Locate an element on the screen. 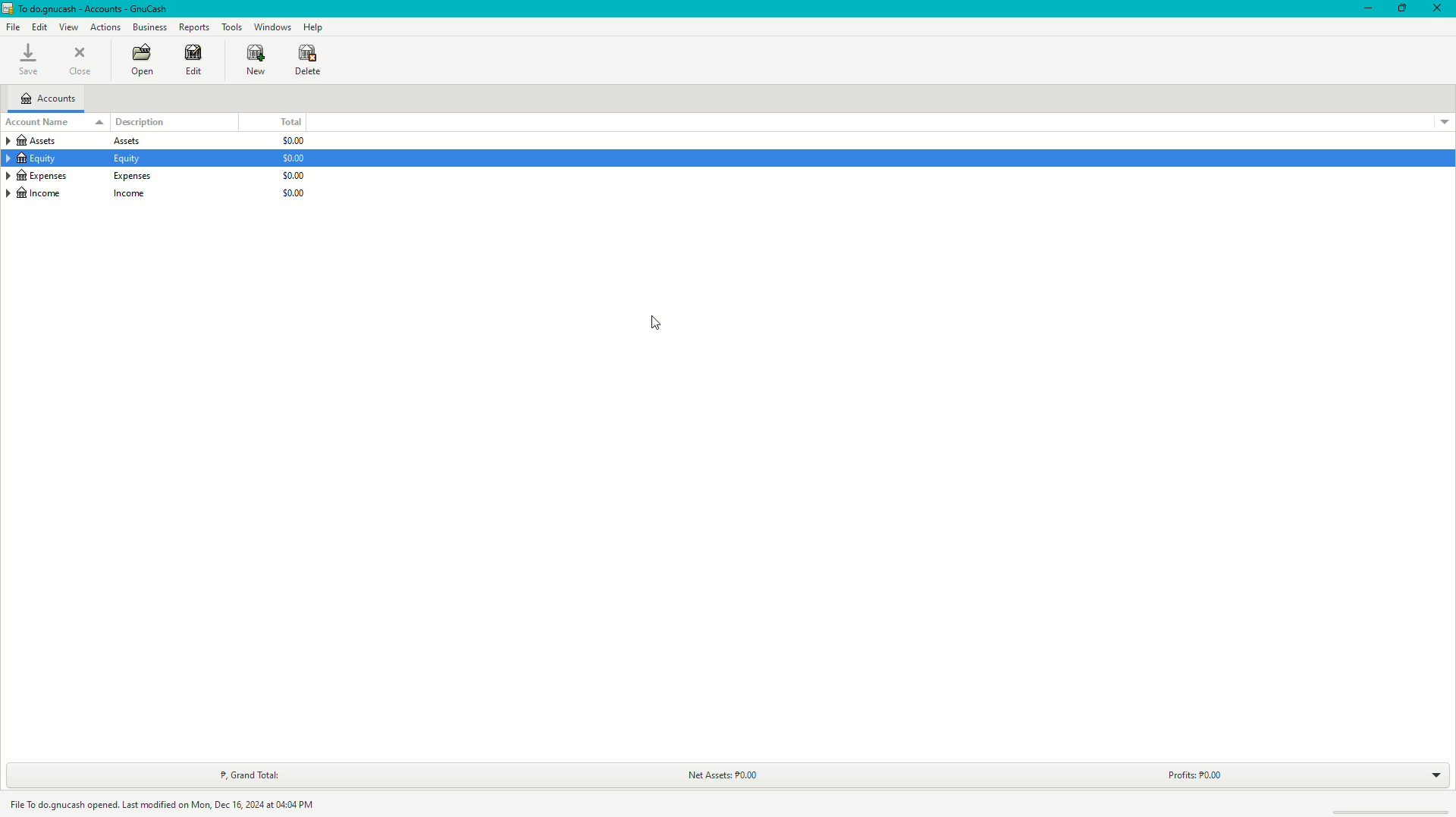 This screenshot has width=1456, height=817. $0 is located at coordinates (293, 155).